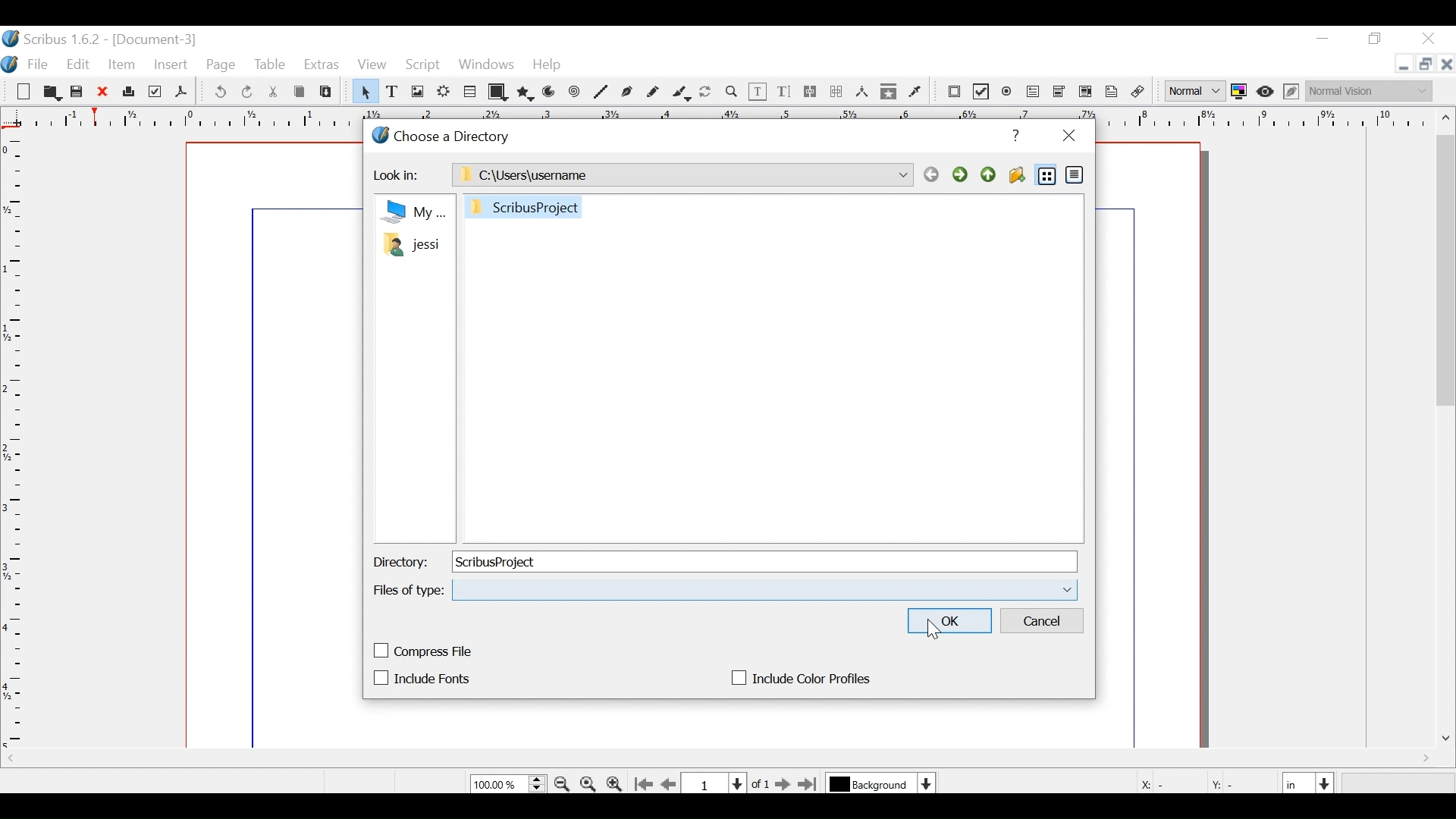  I want to click on Help, so click(548, 67).